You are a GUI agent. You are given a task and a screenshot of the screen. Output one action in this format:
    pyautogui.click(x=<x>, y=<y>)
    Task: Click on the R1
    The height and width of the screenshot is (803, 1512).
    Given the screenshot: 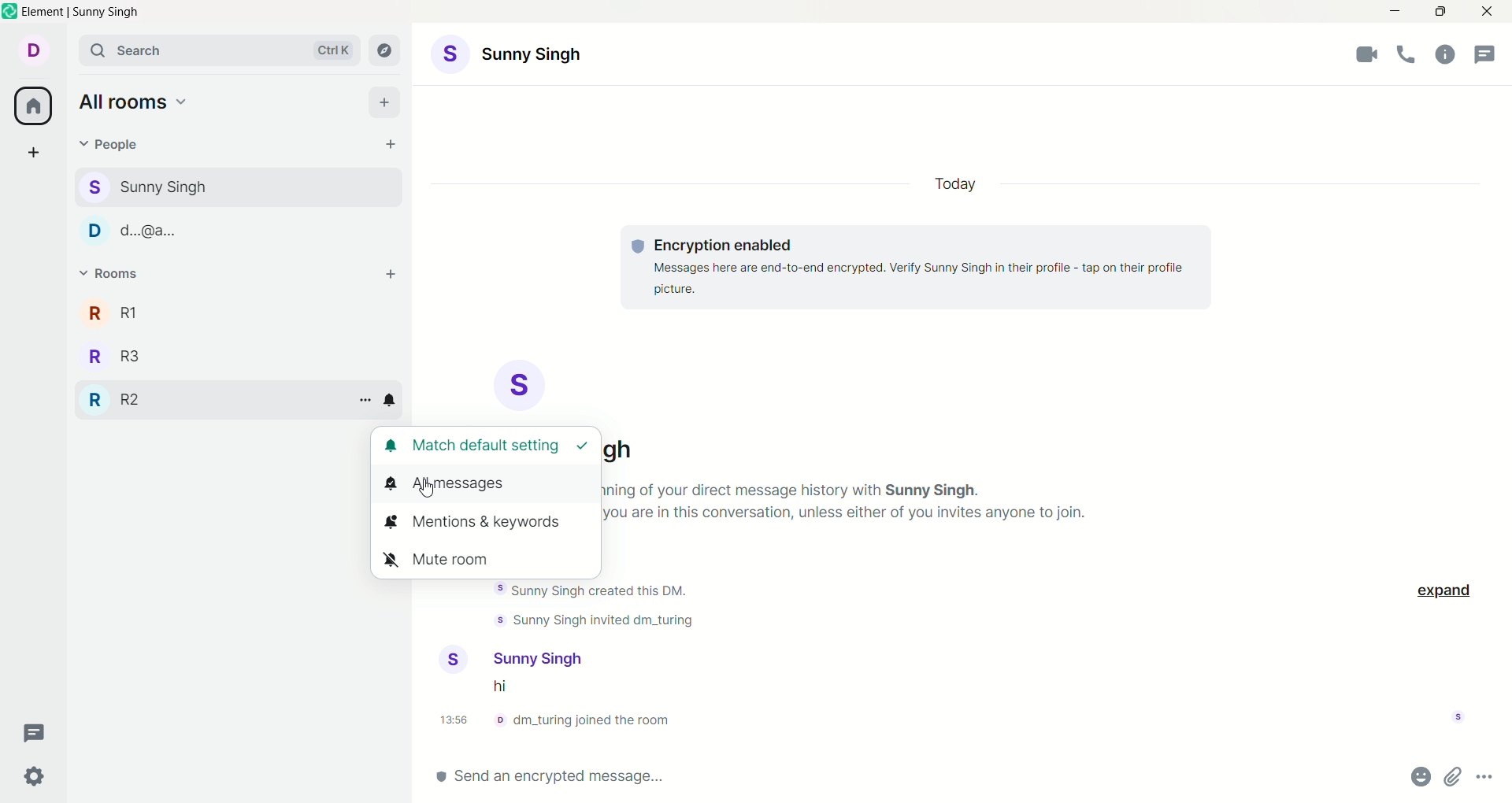 What is the action you would take?
    pyautogui.click(x=114, y=313)
    